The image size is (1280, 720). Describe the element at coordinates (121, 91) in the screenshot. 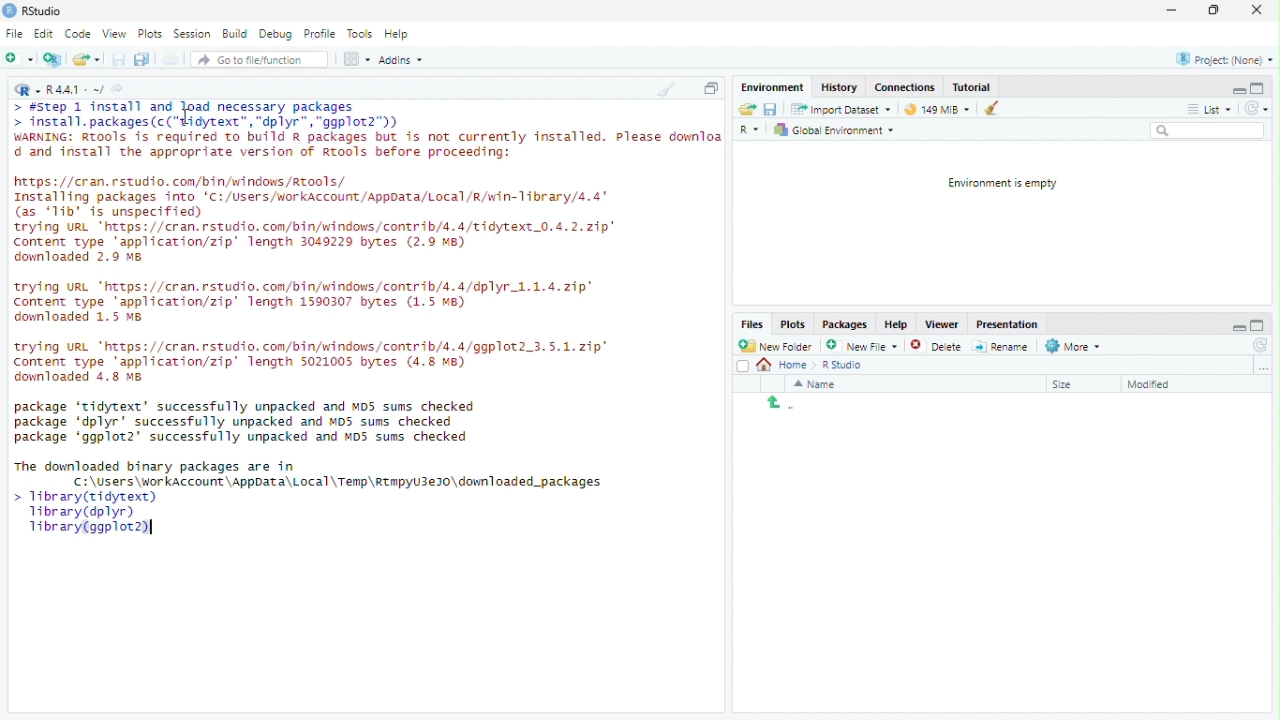

I see `Go` at that location.